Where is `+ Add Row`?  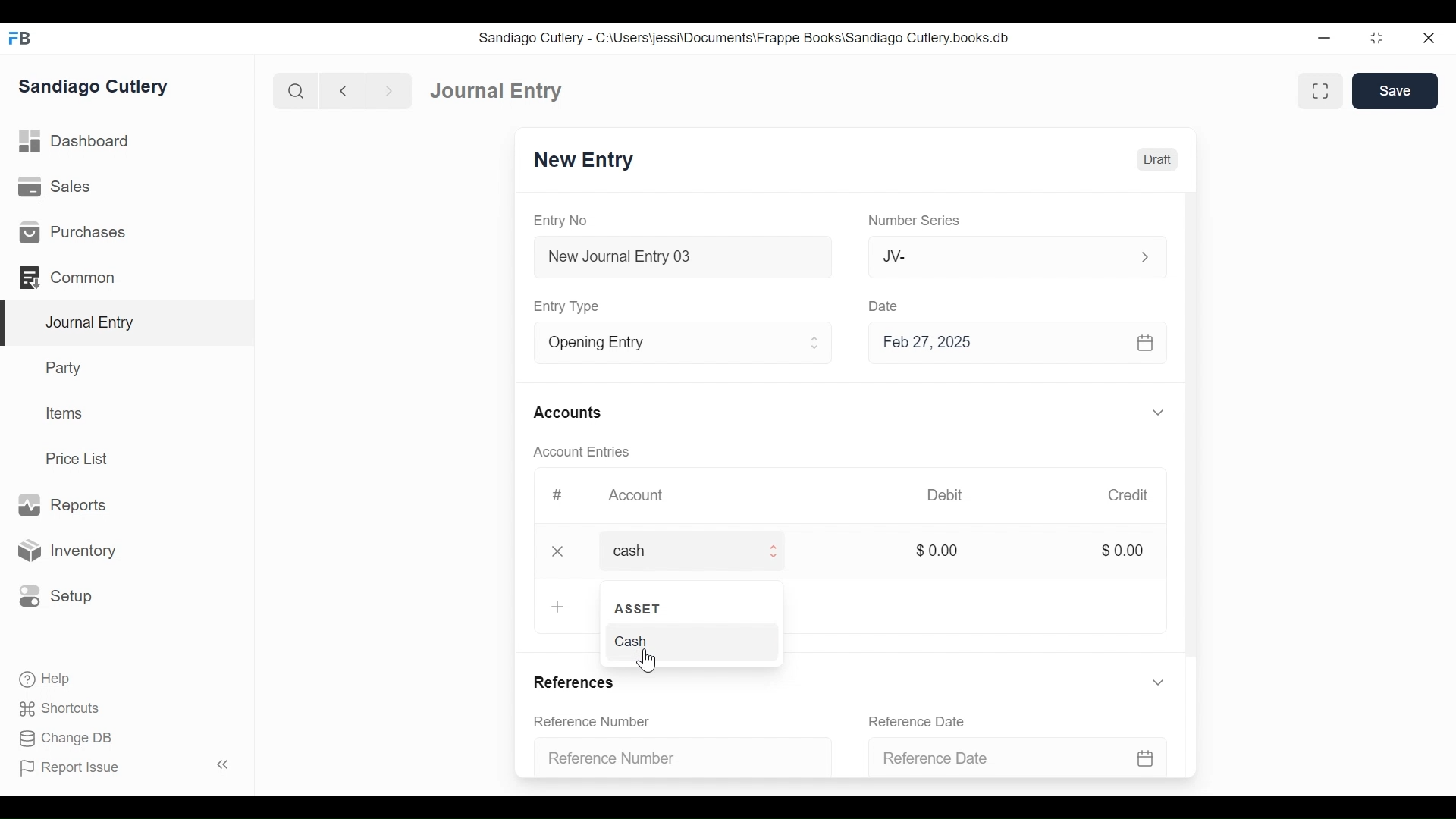 + Add Row is located at coordinates (555, 606).